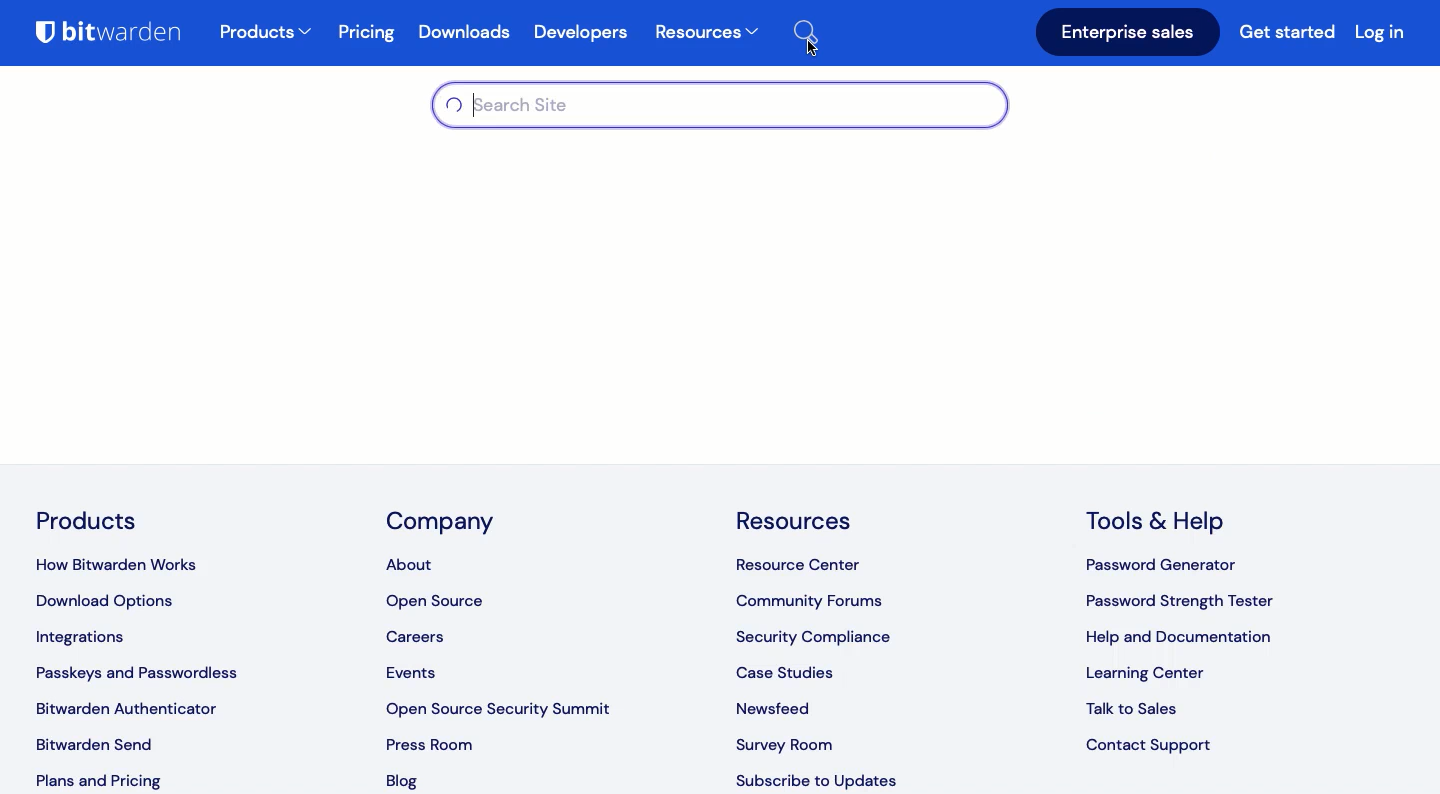 The height and width of the screenshot is (794, 1440). What do you see at coordinates (1128, 33) in the screenshot?
I see `Enterprise sales` at bounding box center [1128, 33].